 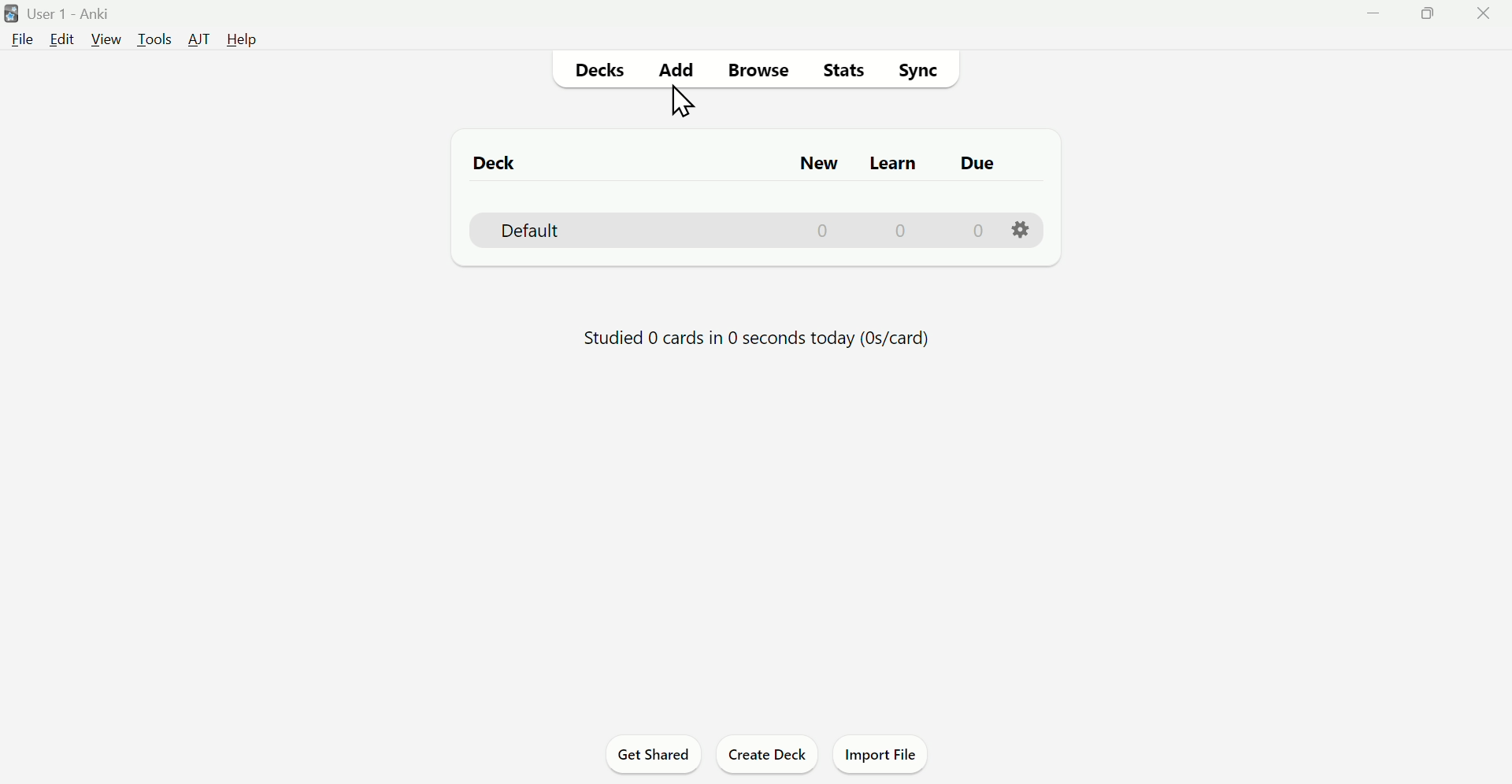 What do you see at coordinates (892, 161) in the screenshot?
I see `Learn` at bounding box center [892, 161].